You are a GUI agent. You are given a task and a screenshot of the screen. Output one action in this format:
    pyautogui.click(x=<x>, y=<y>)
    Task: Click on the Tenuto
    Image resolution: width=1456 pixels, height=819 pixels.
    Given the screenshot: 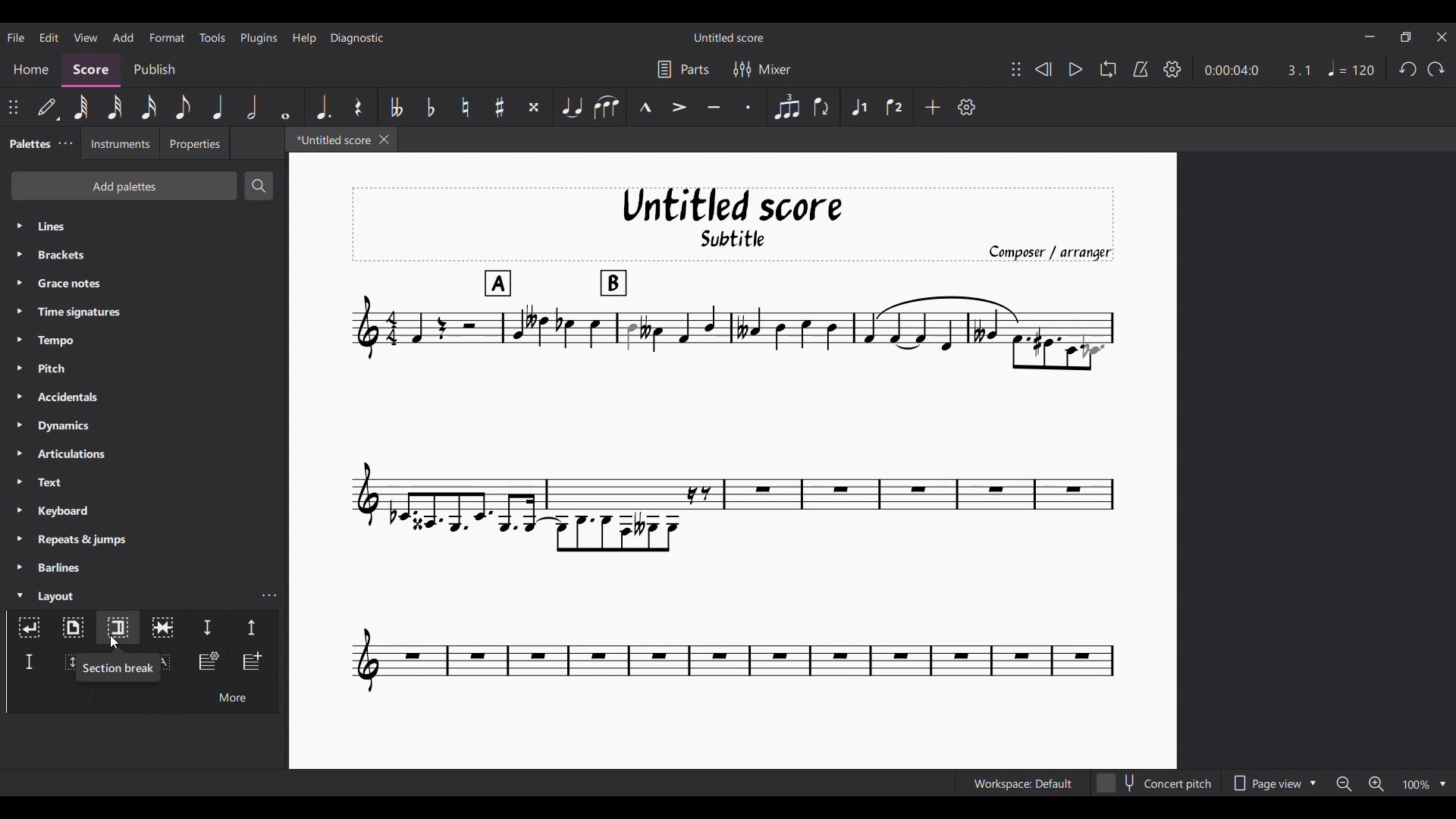 What is the action you would take?
    pyautogui.click(x=714, y=108)
    